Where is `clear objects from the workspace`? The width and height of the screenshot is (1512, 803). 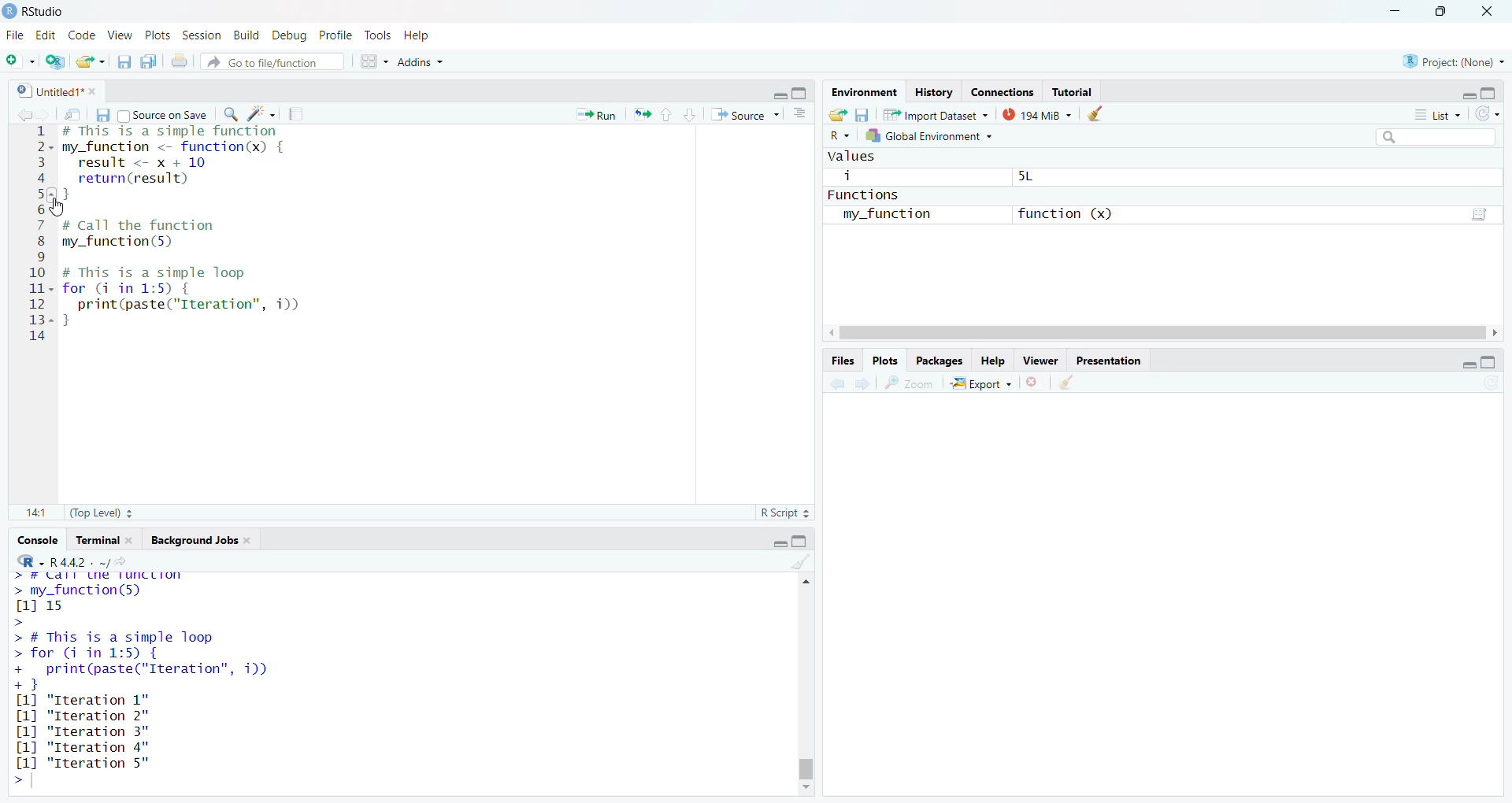
clear objects from the workspace is located at coordinates (1098, 115).